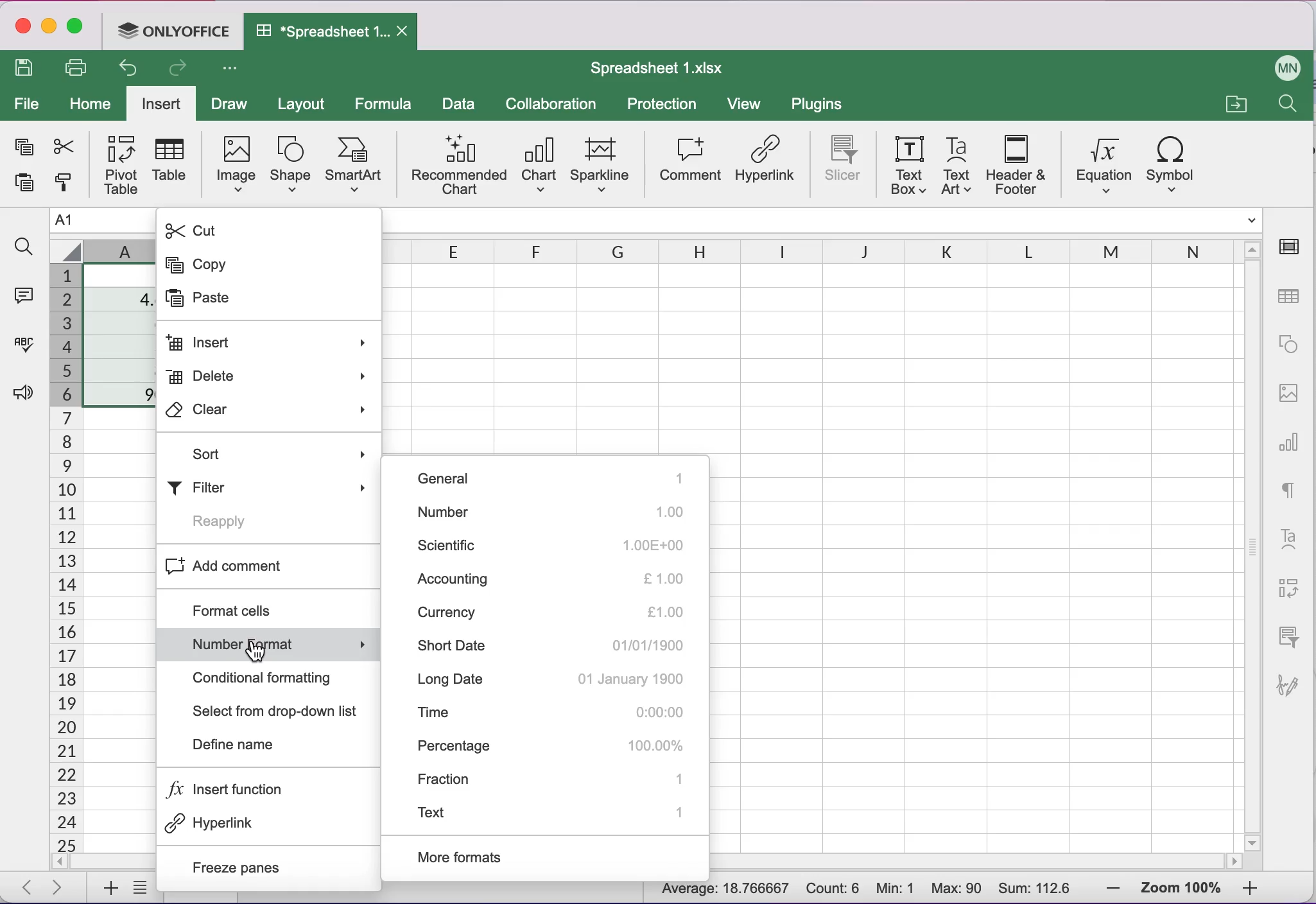  What do you see at coordinates (266, 564) in the screenshot?
I see `Add comment` at bounding box center [266, 564].